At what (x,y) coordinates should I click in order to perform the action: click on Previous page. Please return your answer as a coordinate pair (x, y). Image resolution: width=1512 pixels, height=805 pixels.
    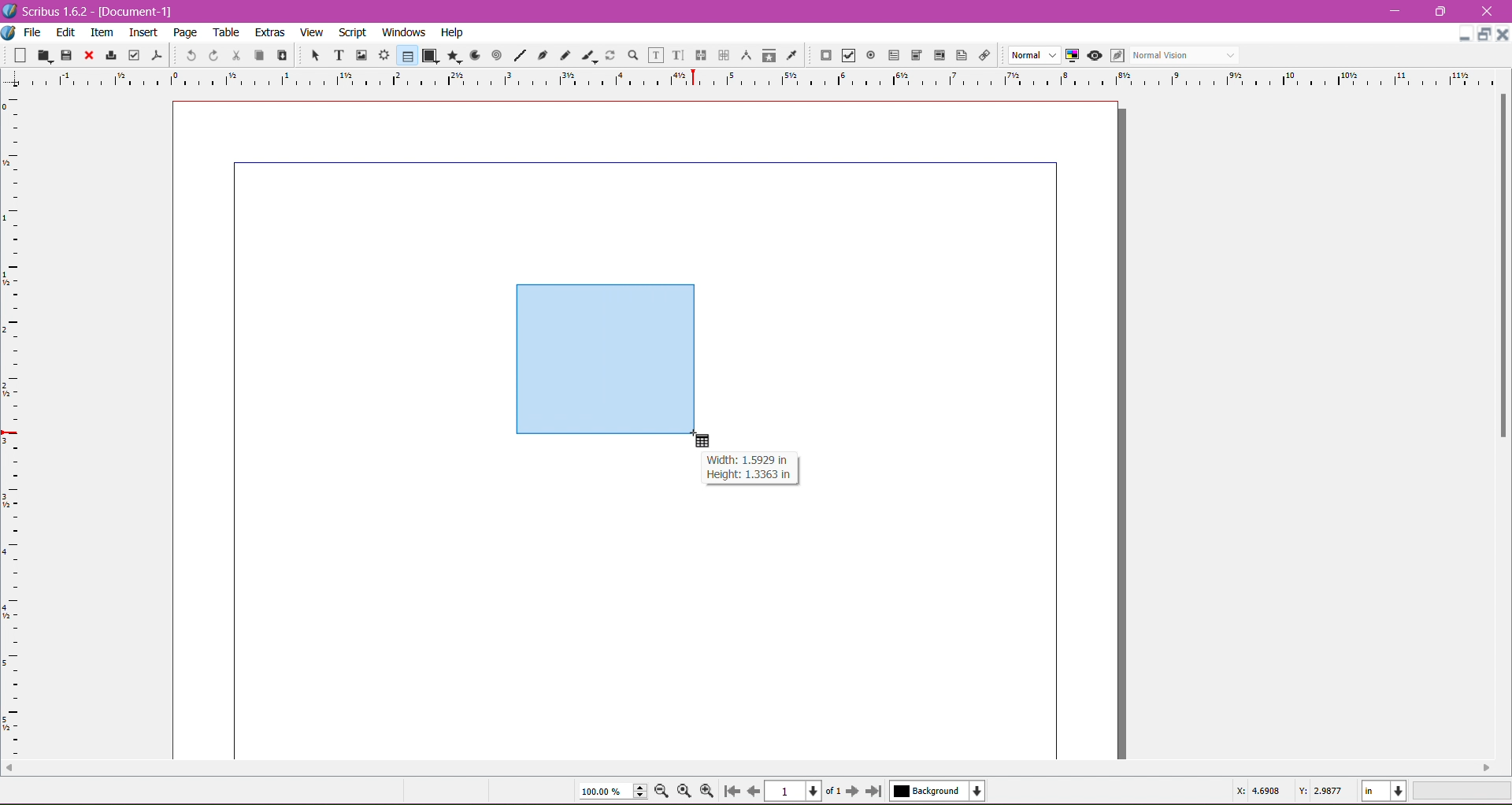
    Looking at the image, I should click on (753, 790).